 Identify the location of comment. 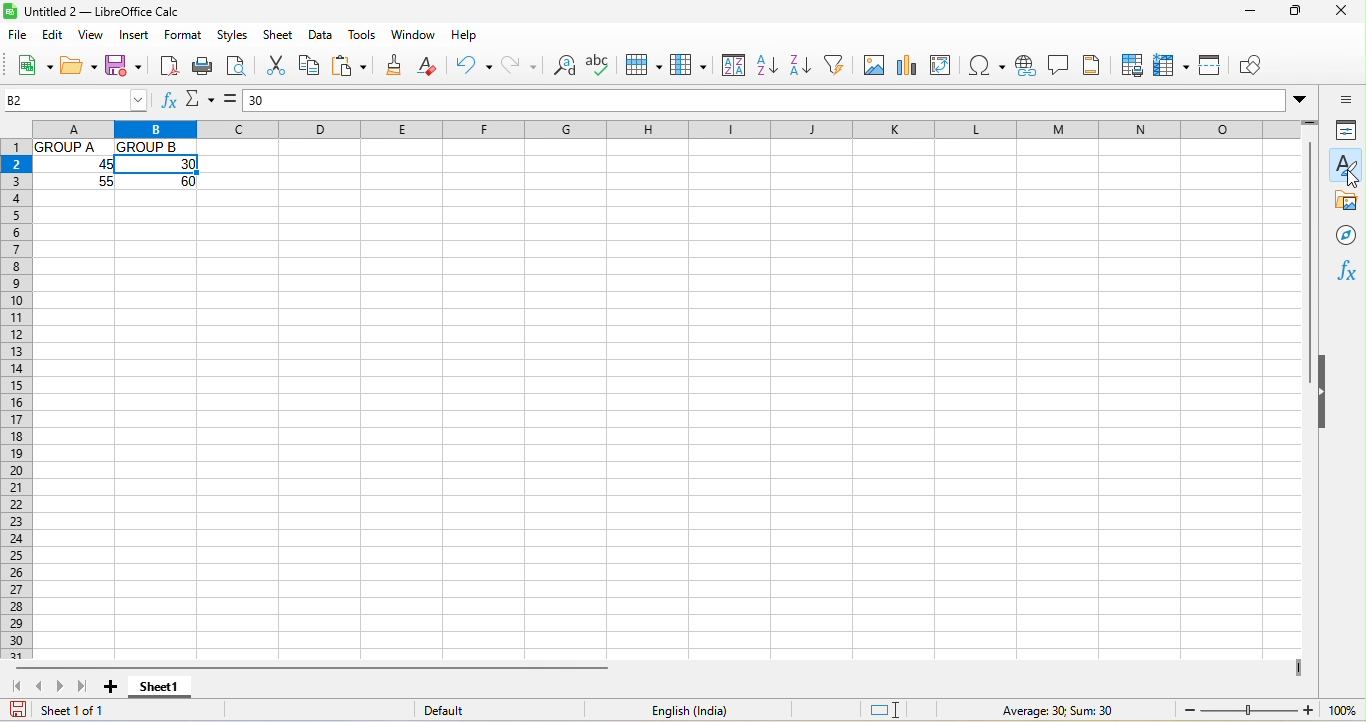
(1063, 64).